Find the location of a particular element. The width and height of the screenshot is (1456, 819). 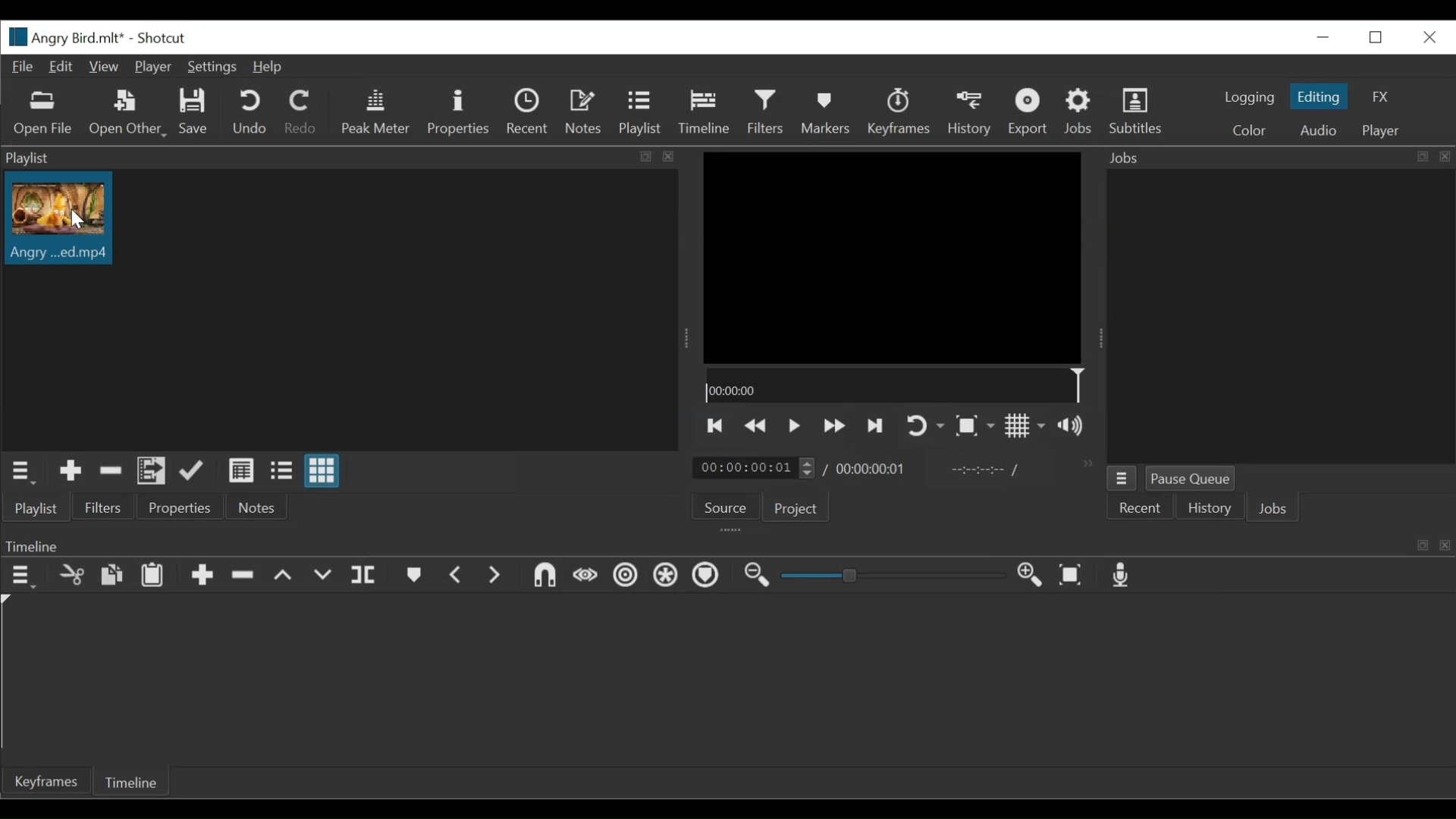

Jobs is located at coordinates (1278, 156).